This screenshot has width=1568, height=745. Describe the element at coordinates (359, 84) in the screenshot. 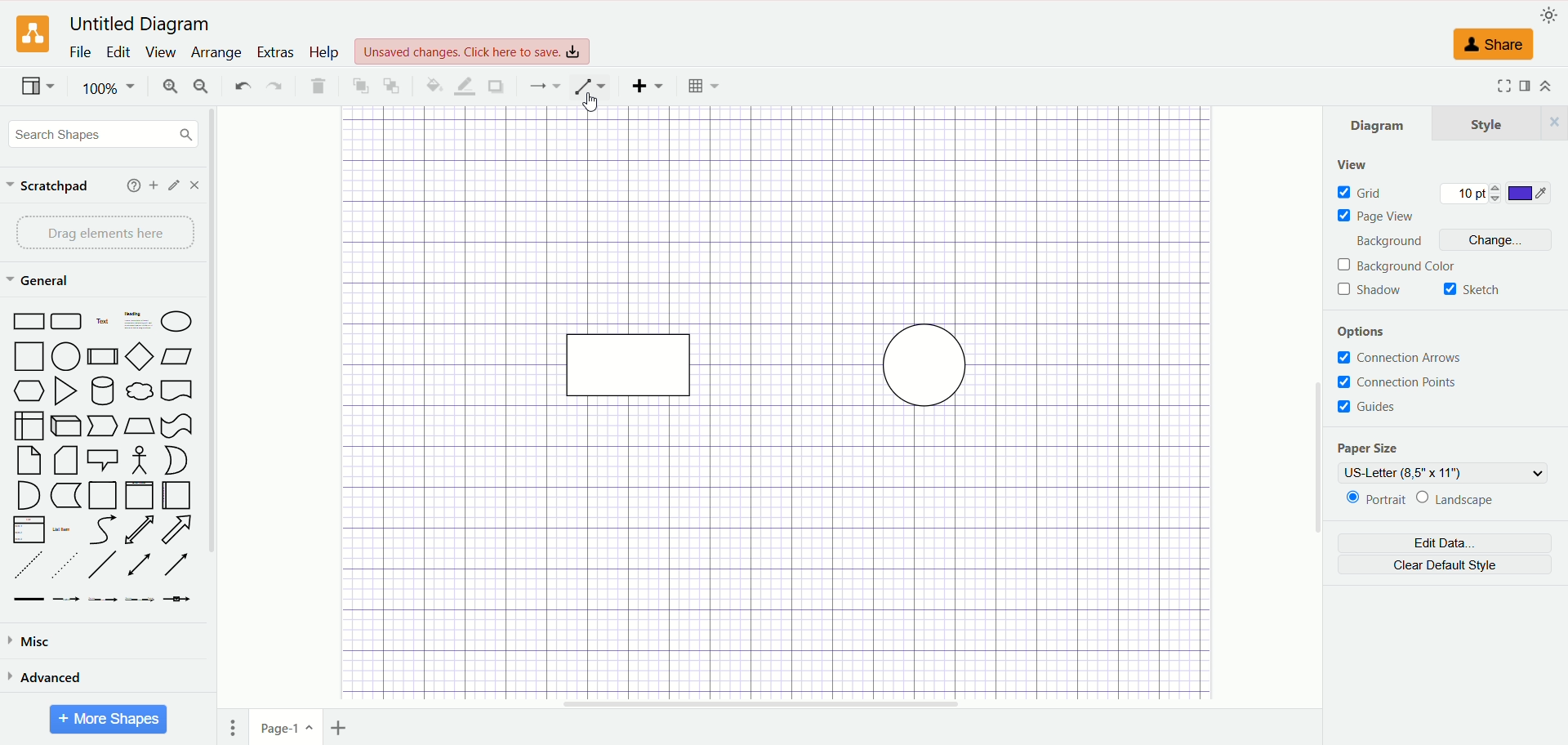

I see `to front` at that location.